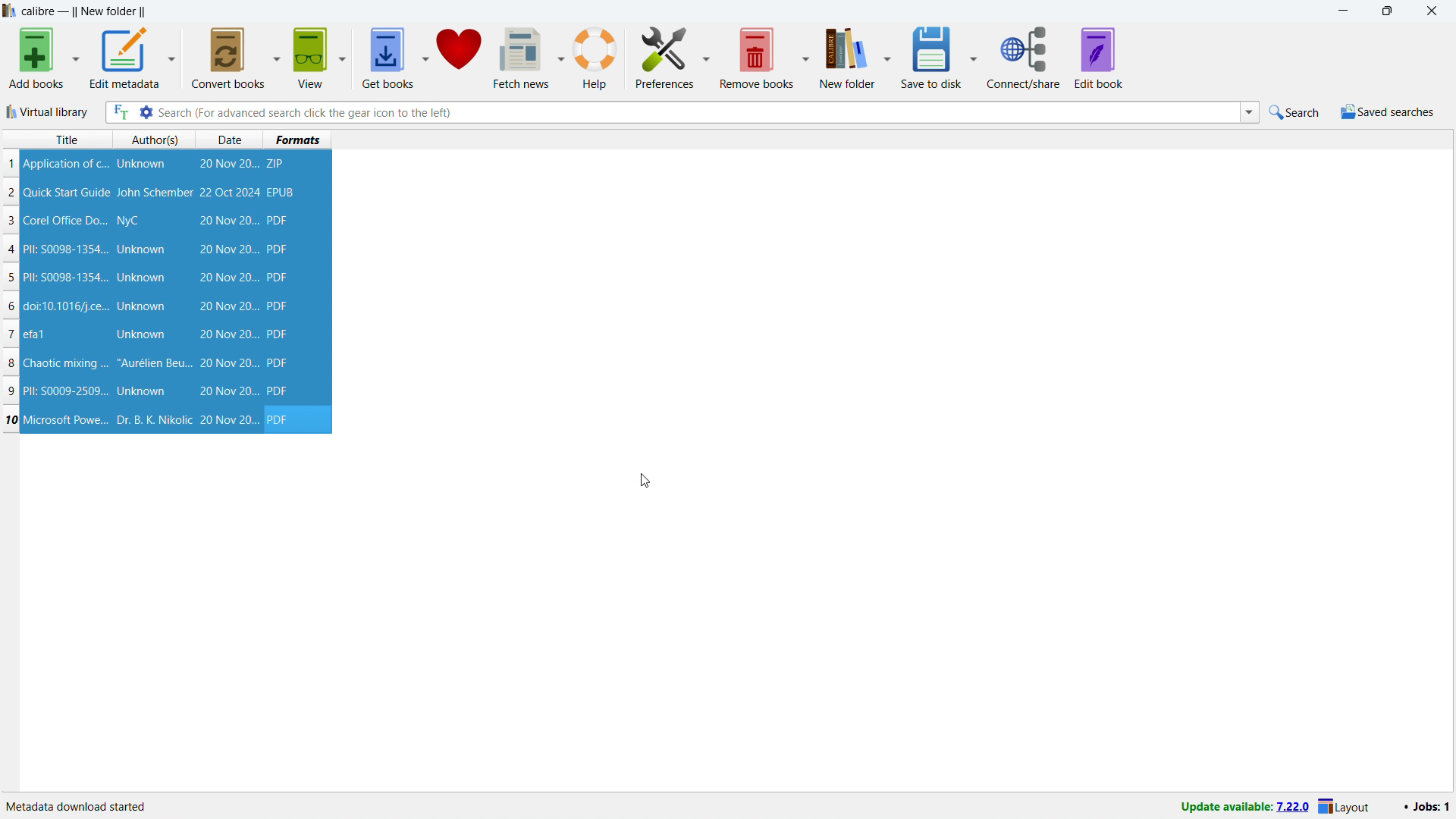 This screenshot has width=1456, height=819. I want to click on 4, so click(14, 250).